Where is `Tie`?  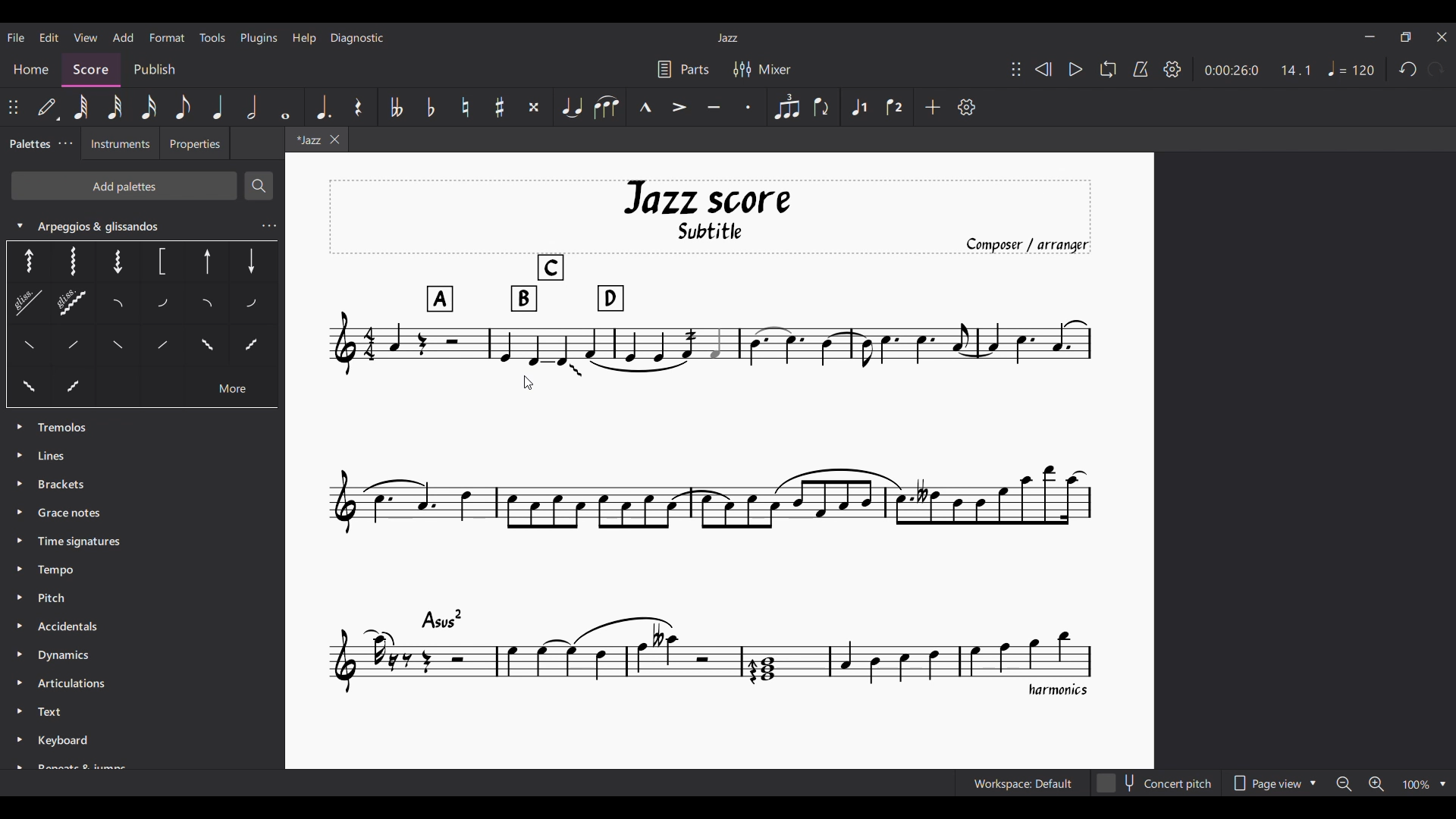 Tie is located at coordinates (571, 107).